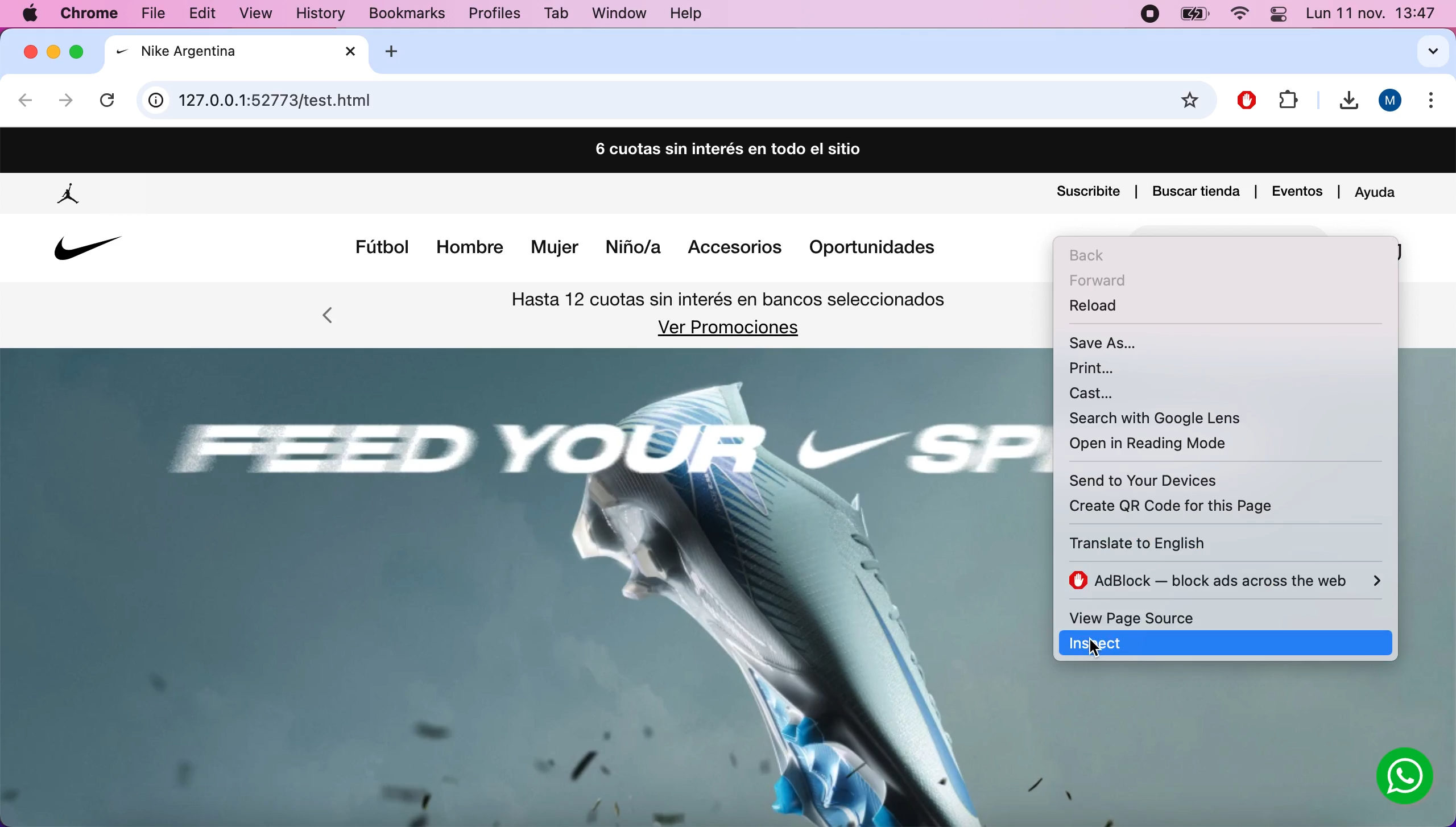 Image resolution: width=1456 pixels, height=827 pixels. What do you see at coordinates (263, 15) in the screenshot?
I see `view` at bounding box center [263, 15].